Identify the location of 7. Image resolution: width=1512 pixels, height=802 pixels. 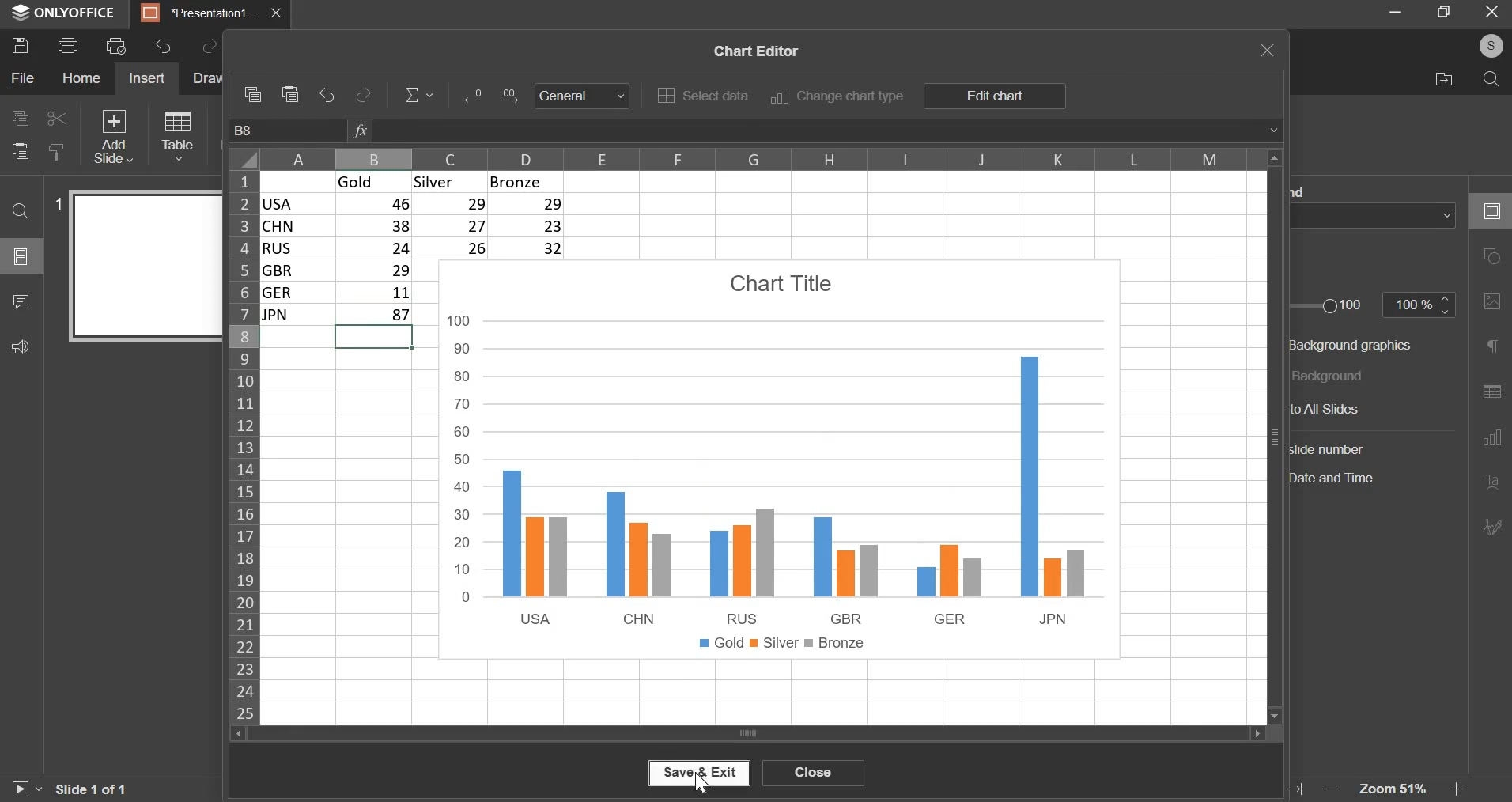
(376, 316).